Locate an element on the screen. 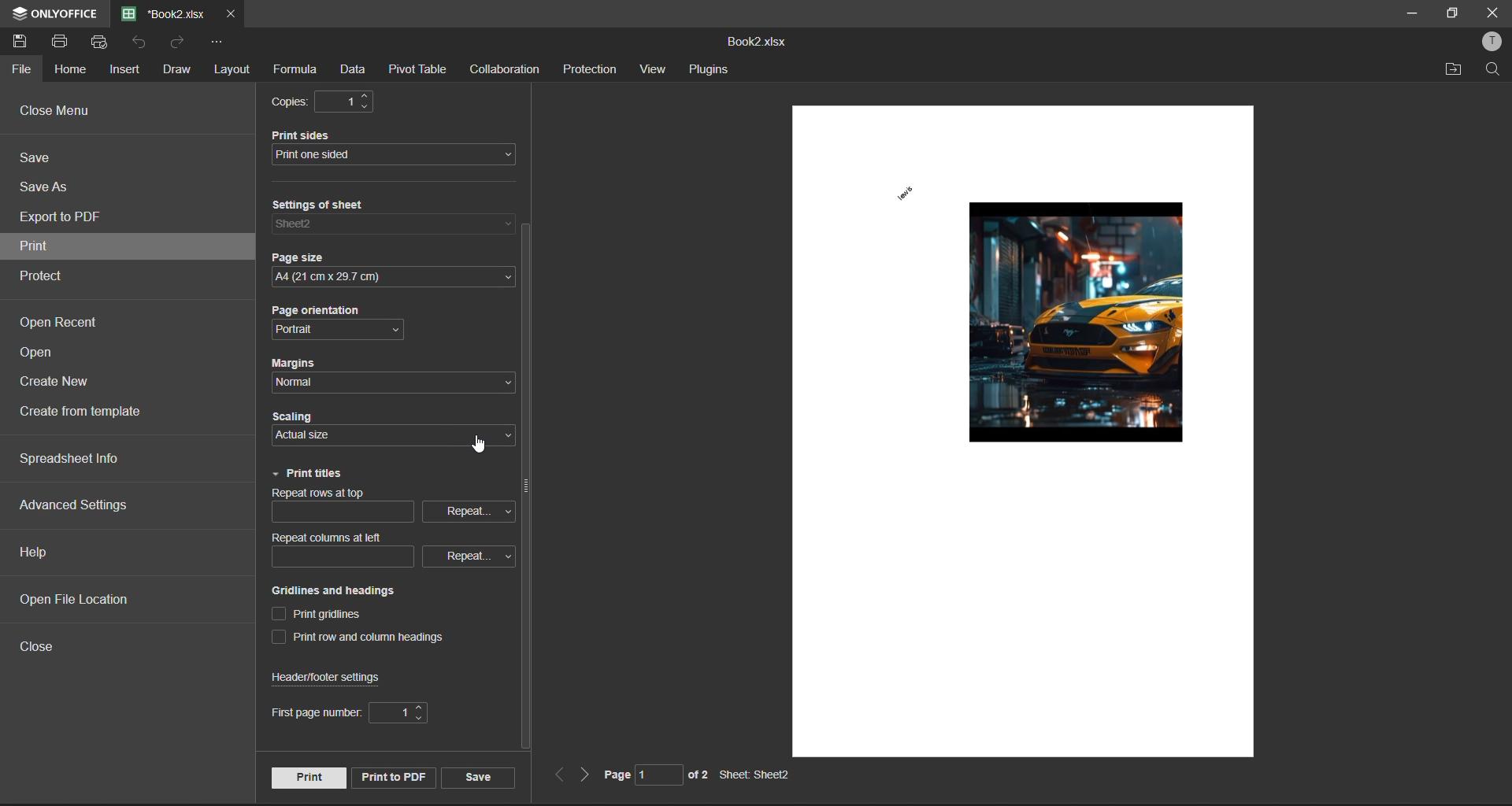  print row and column headings is located at coordinates (366, 639).